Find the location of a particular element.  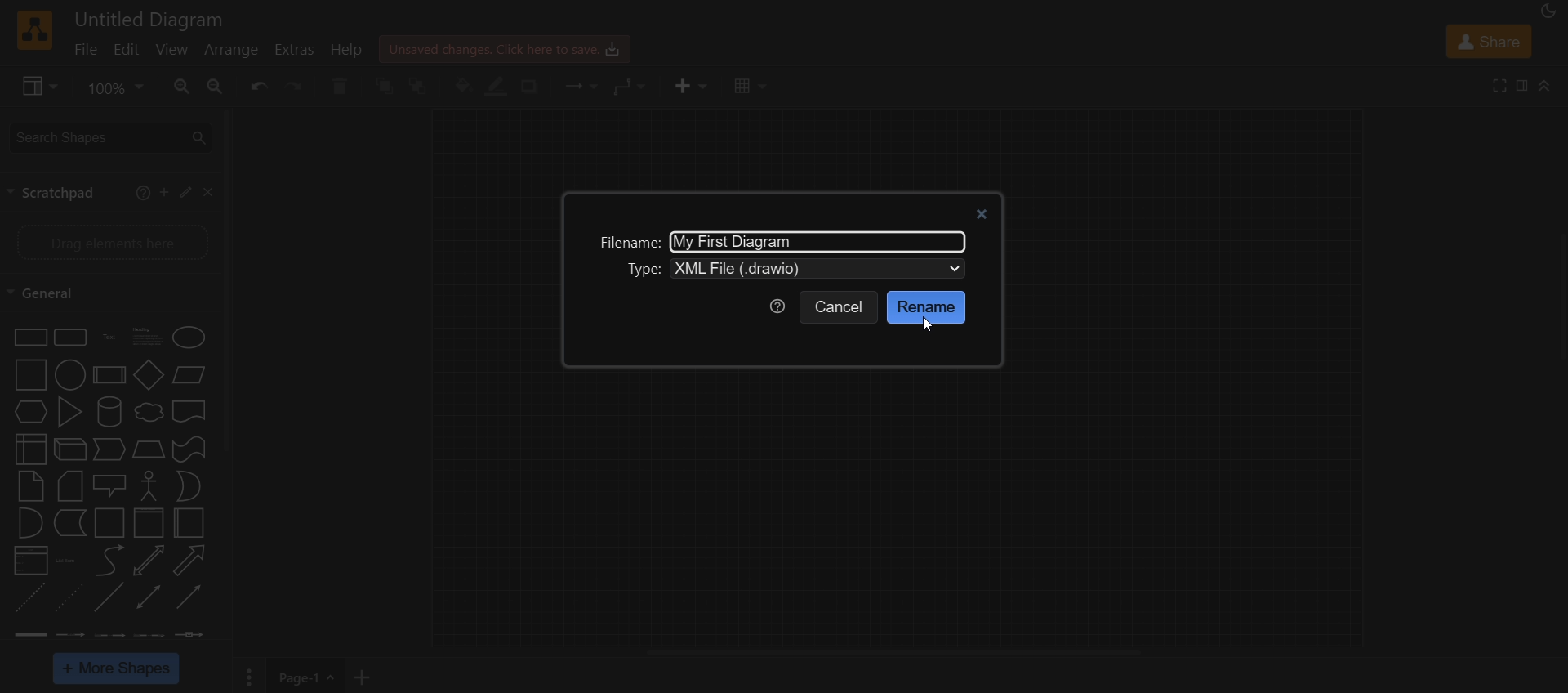

file name is located at coordinates (626, 241).